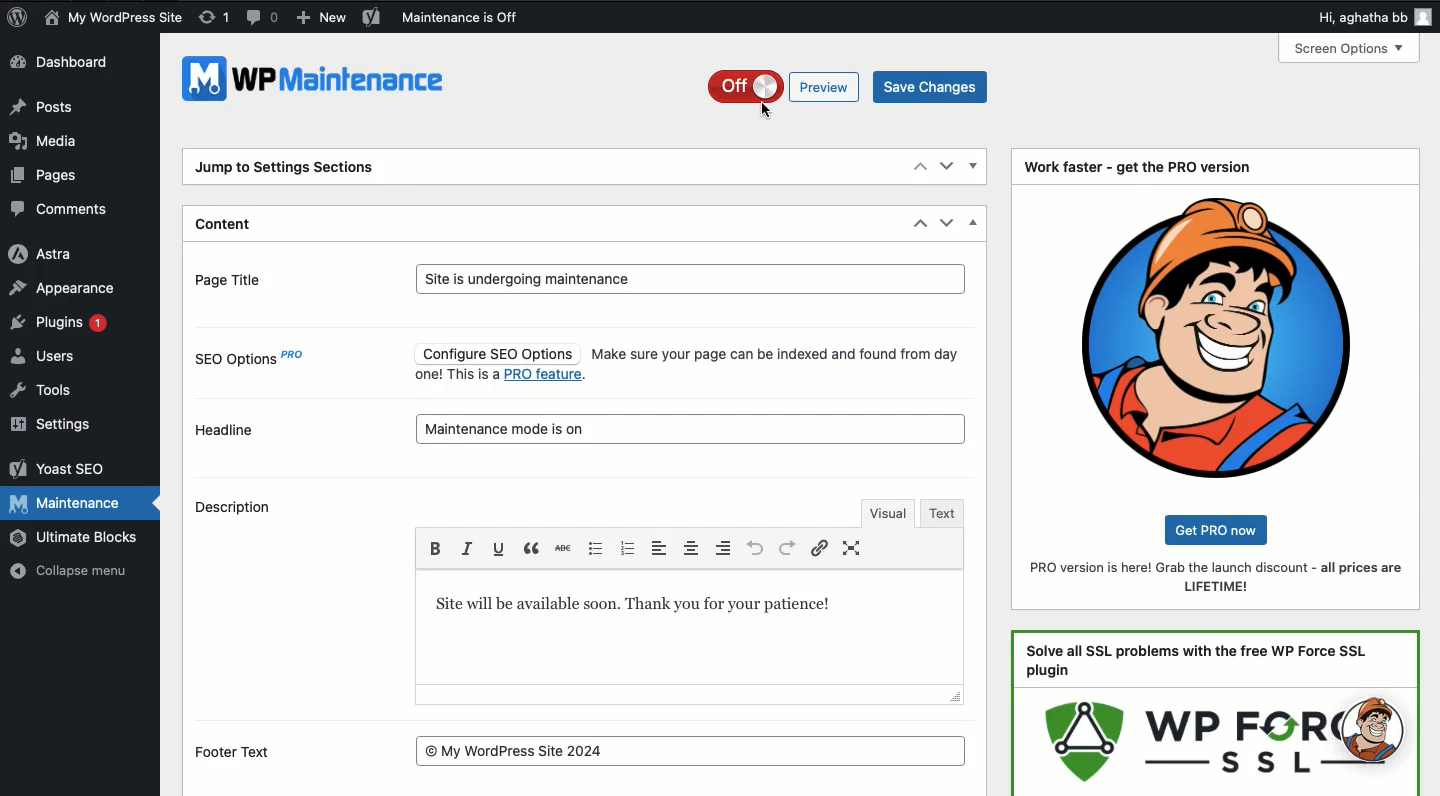  What do you see at coordinates (439, 546) in the screenshot?
I see `Bold` at bounding box center [439, 546].